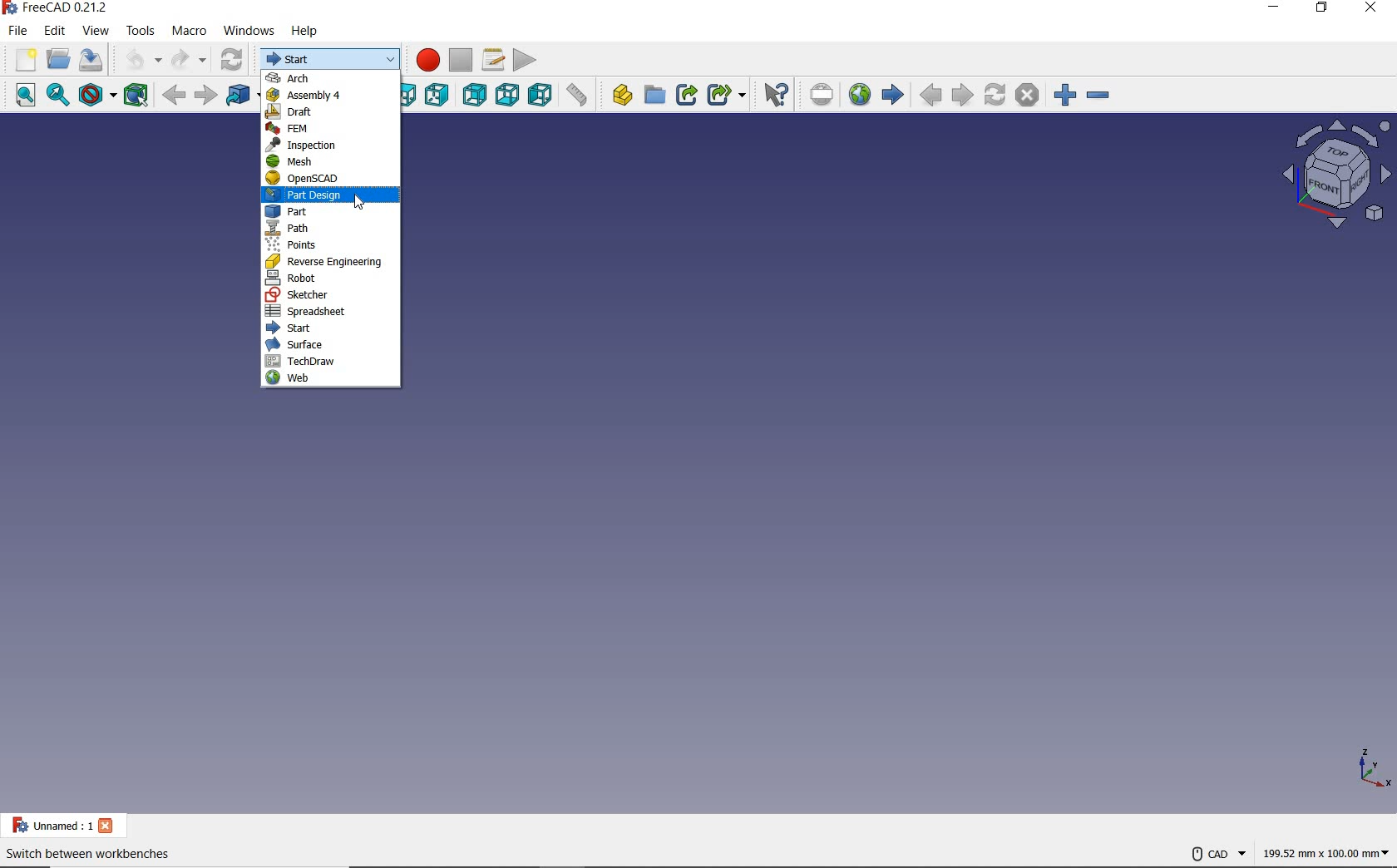 The width and height of the screenshot is (1397, 868). What do you see at coordinates (1028, 96) in the screenshot?
I see `STOP LOADING` at bounding box center [1028, 96].